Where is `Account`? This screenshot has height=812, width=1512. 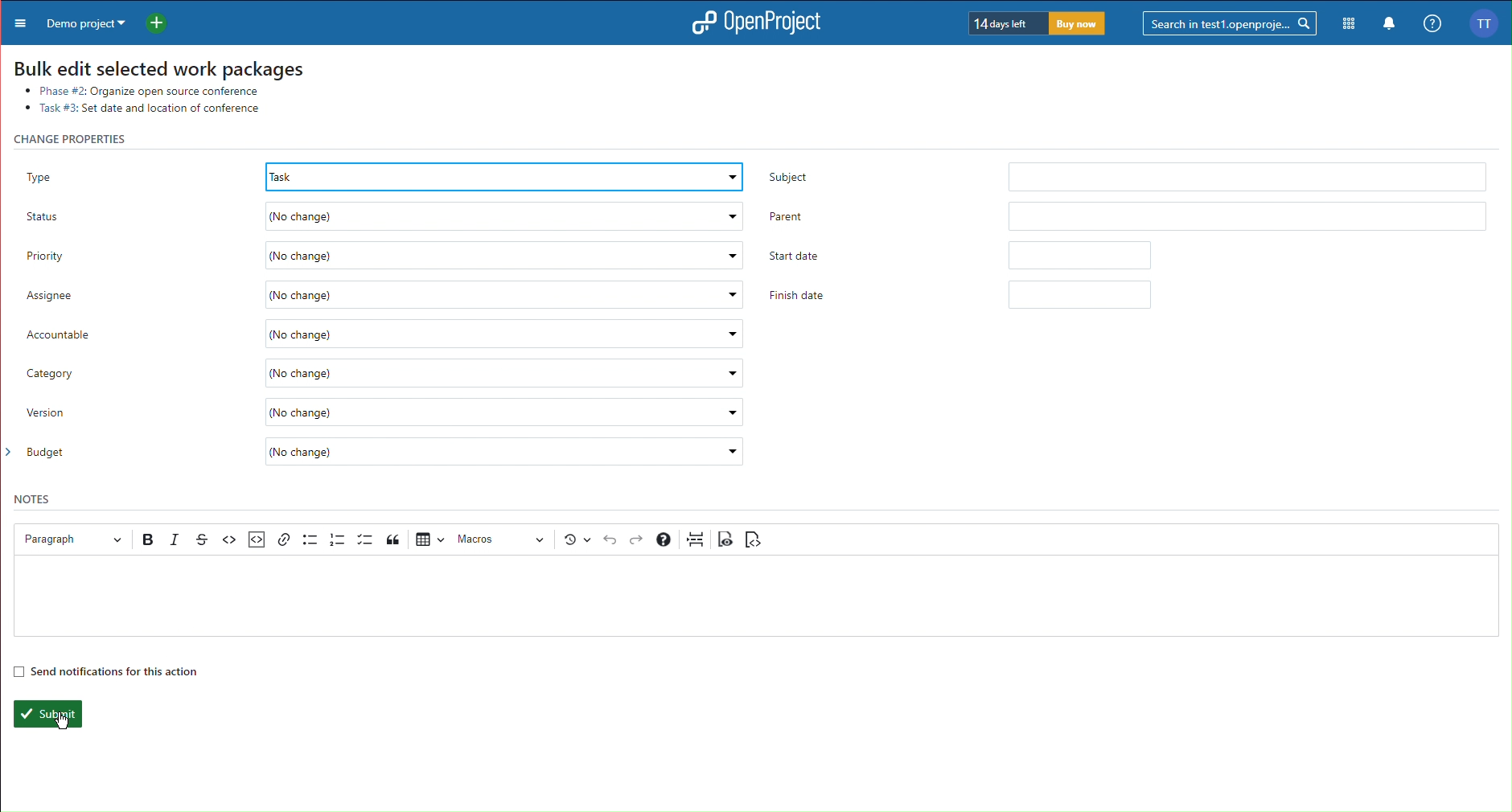
Account is located at coordinates (1489, 23).